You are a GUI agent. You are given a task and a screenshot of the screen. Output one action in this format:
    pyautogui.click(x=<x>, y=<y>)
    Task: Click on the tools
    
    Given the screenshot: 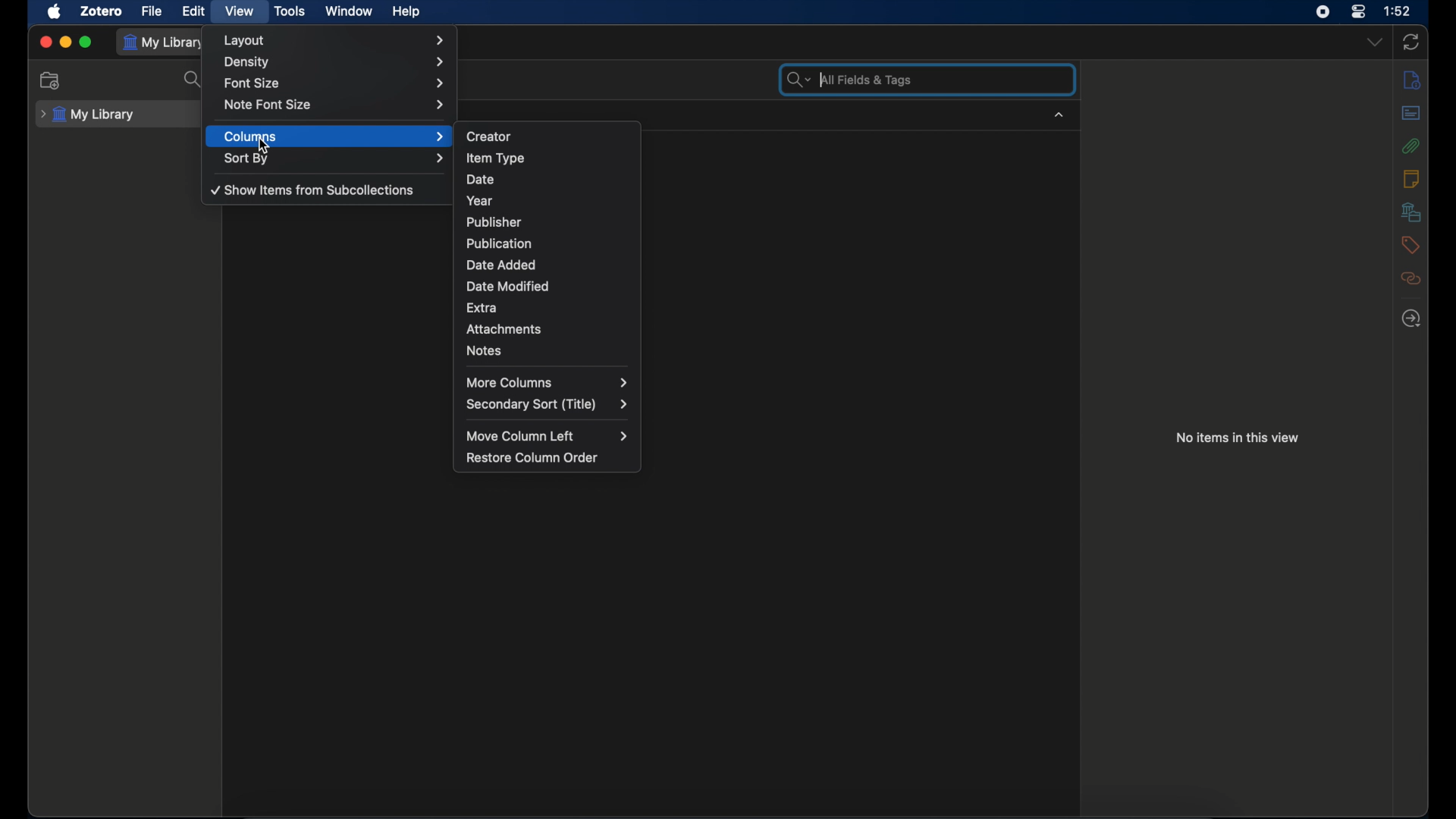 What is the action you would take?
    pyautogui.click(x=290, y=11)
    